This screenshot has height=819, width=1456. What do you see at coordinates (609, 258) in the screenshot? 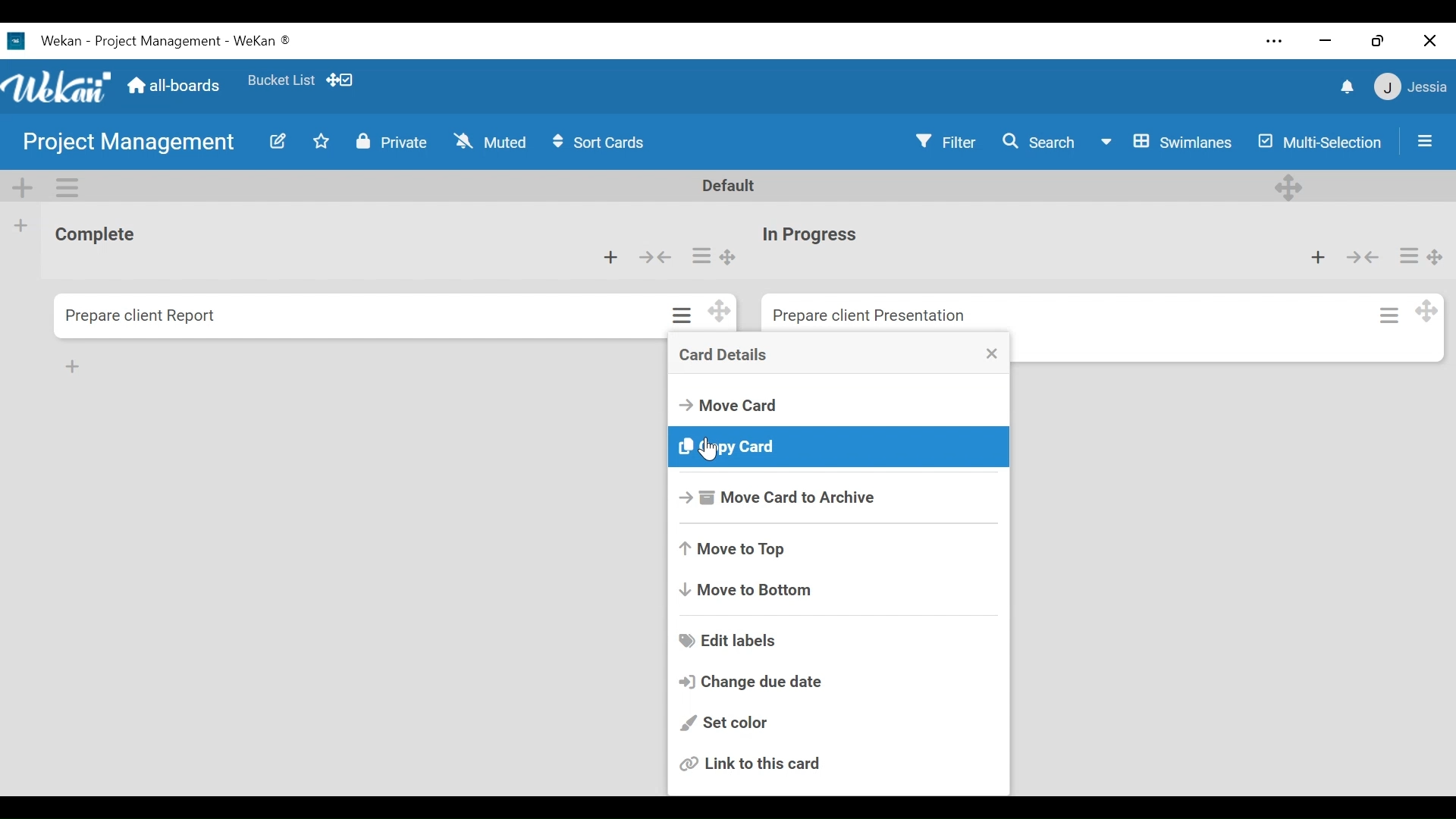
I see `Add card to top of the list` at bounding box center [609, 258].